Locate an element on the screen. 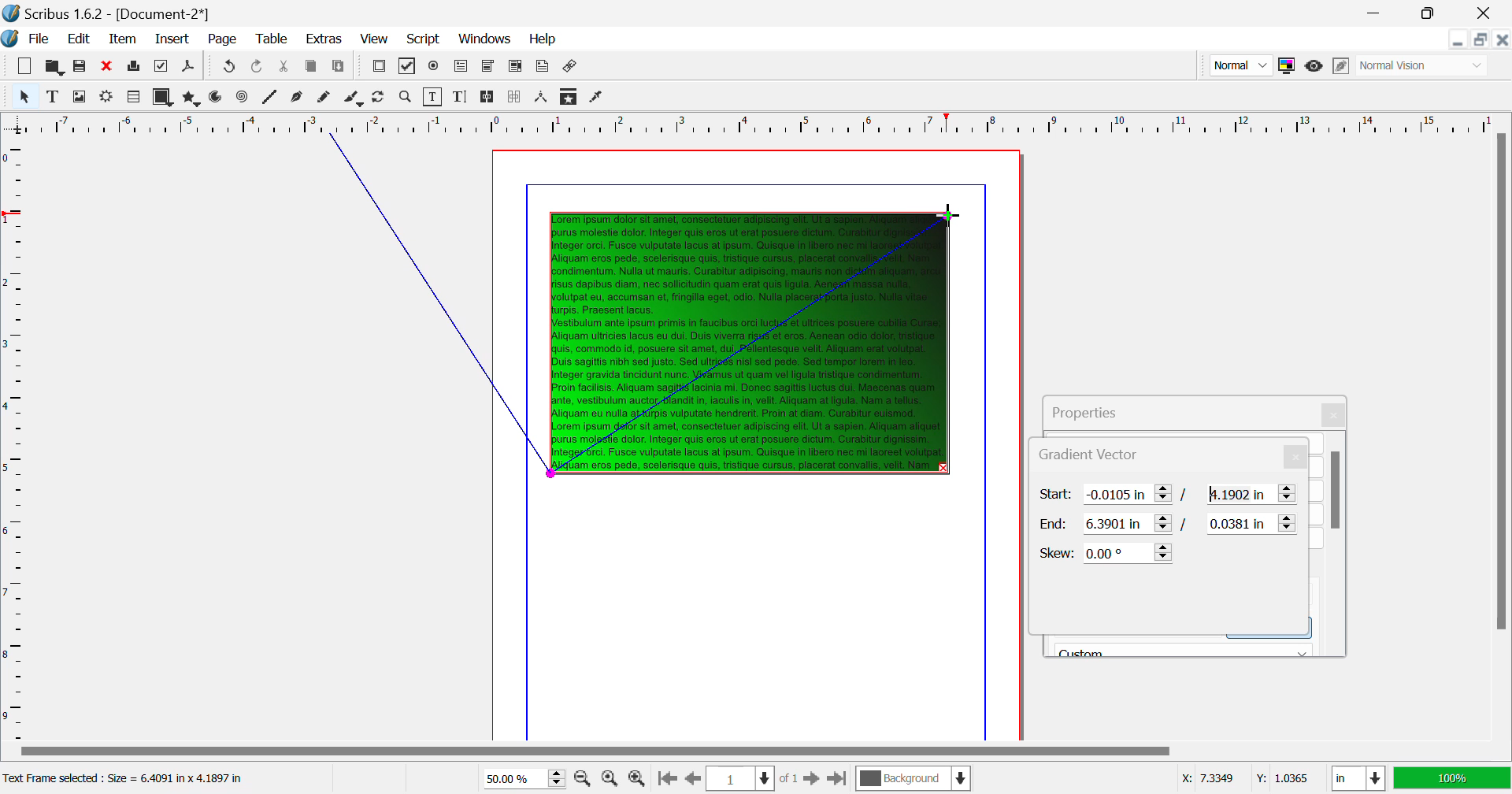  View is located at coordinates (373, 39).